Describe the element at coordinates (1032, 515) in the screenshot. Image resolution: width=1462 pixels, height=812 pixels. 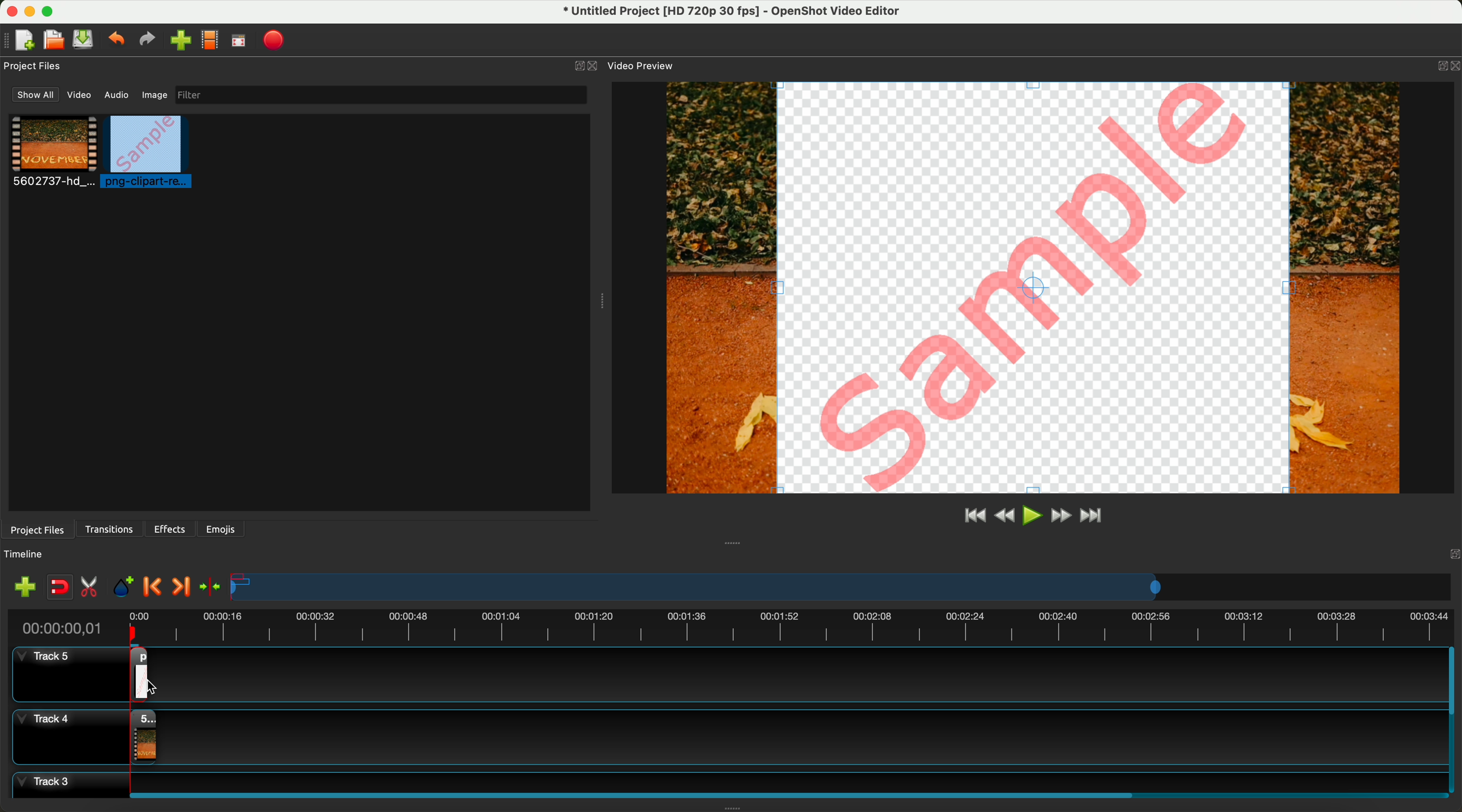
I see `play` at that location.